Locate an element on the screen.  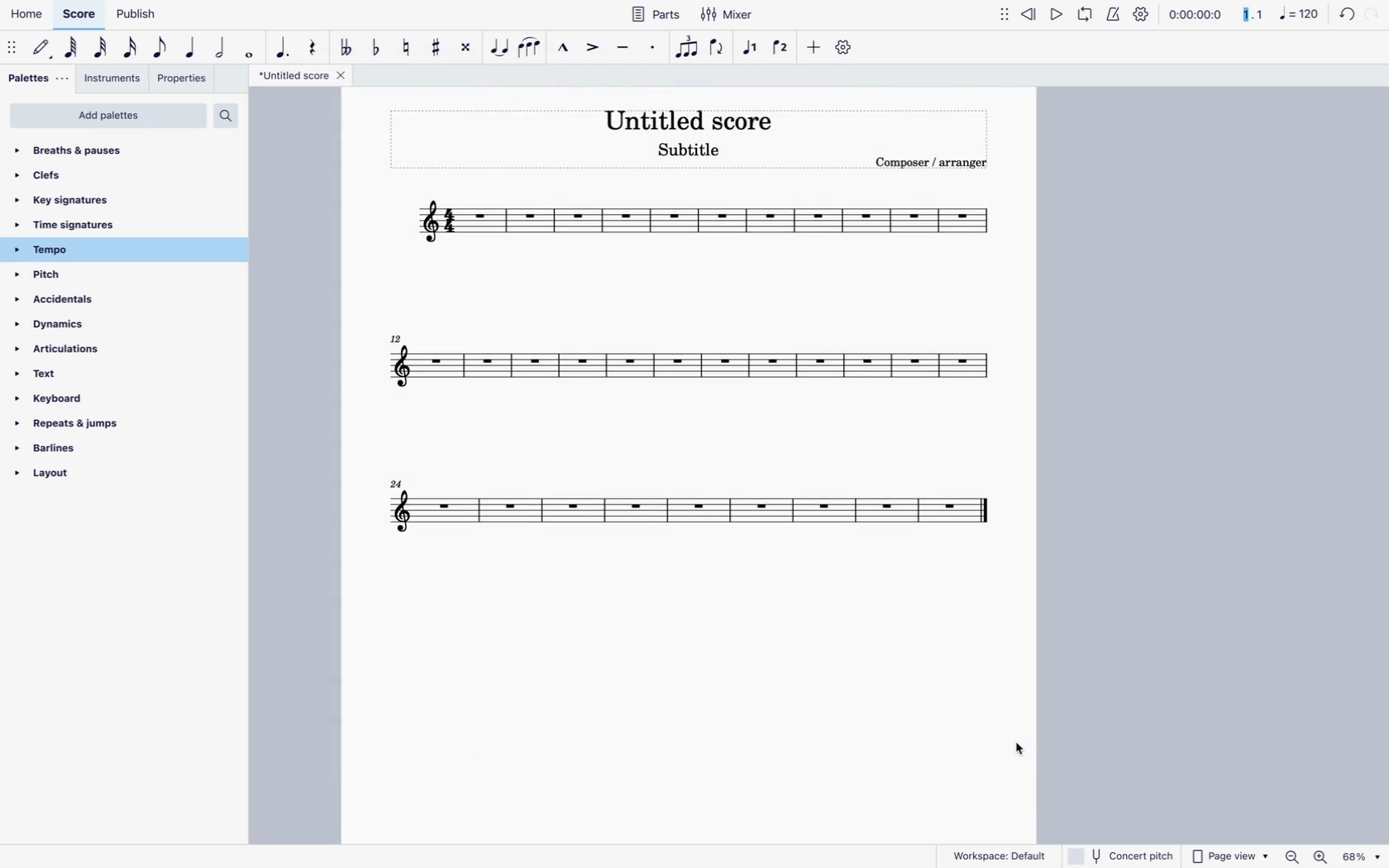
Untitled is located at coordinates (303, 77).